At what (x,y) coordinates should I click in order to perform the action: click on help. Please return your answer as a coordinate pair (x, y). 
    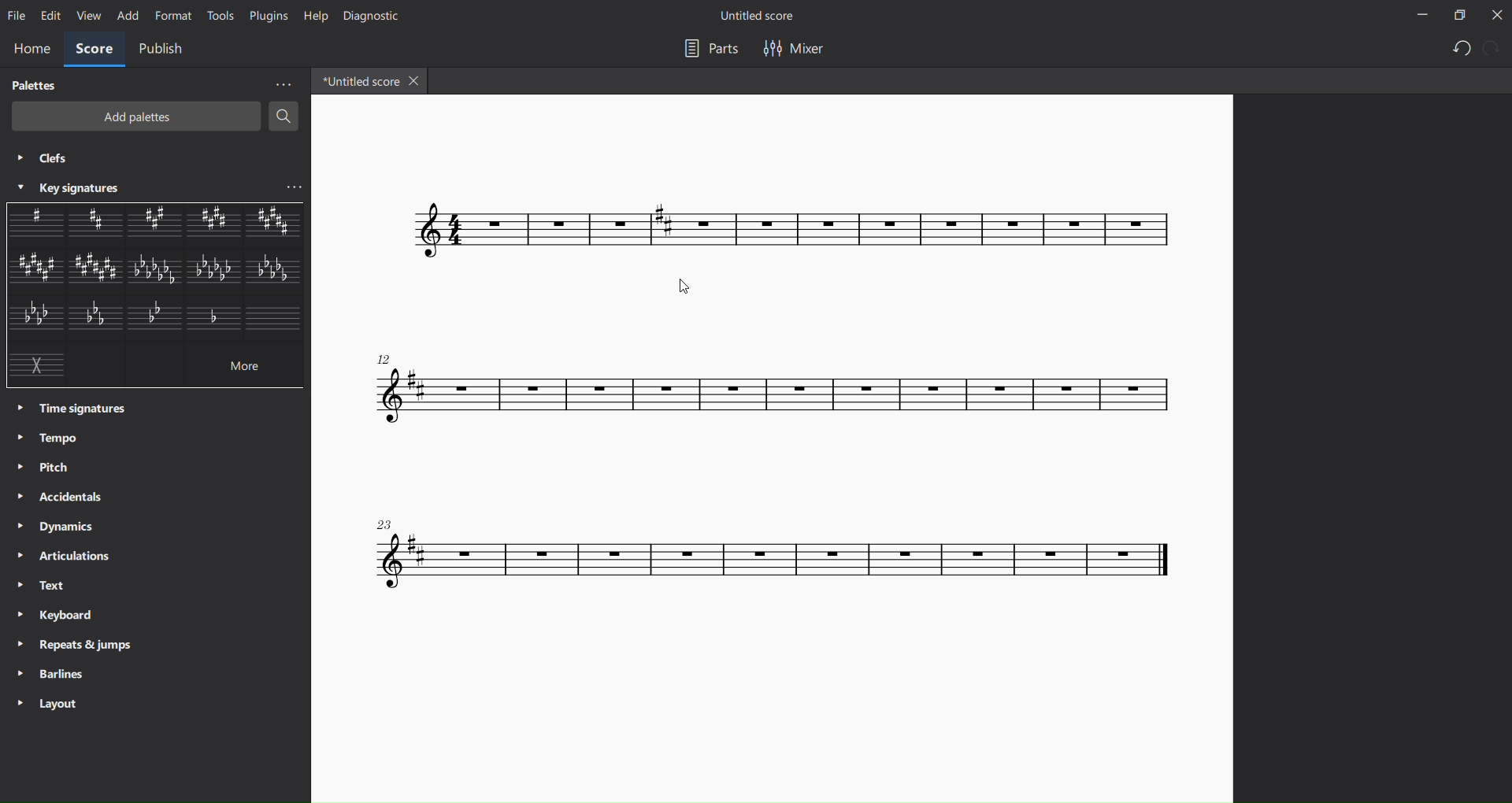
    Looking at the image, I should click on (313, 15).